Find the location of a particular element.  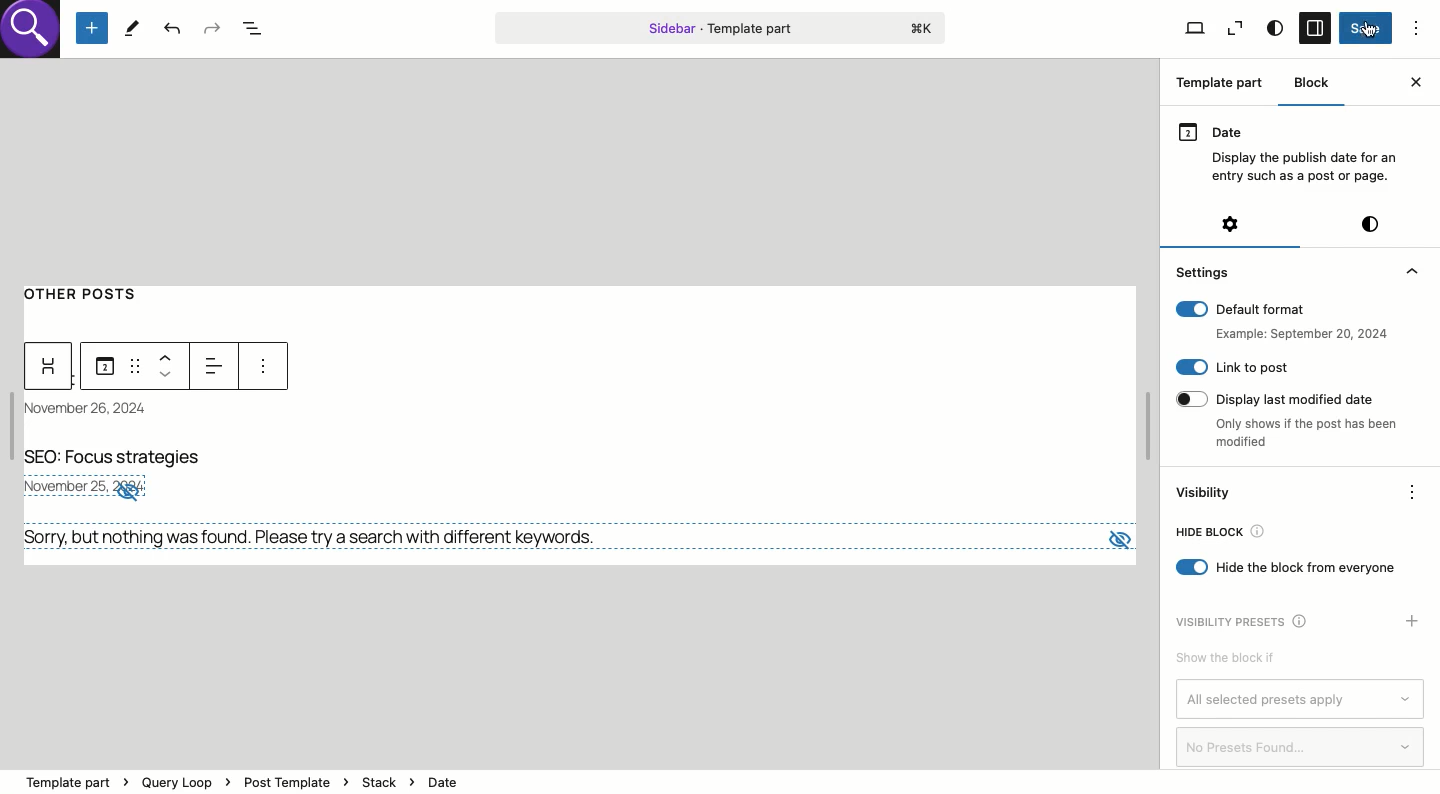

Tools is located at coordinates (132, 27).